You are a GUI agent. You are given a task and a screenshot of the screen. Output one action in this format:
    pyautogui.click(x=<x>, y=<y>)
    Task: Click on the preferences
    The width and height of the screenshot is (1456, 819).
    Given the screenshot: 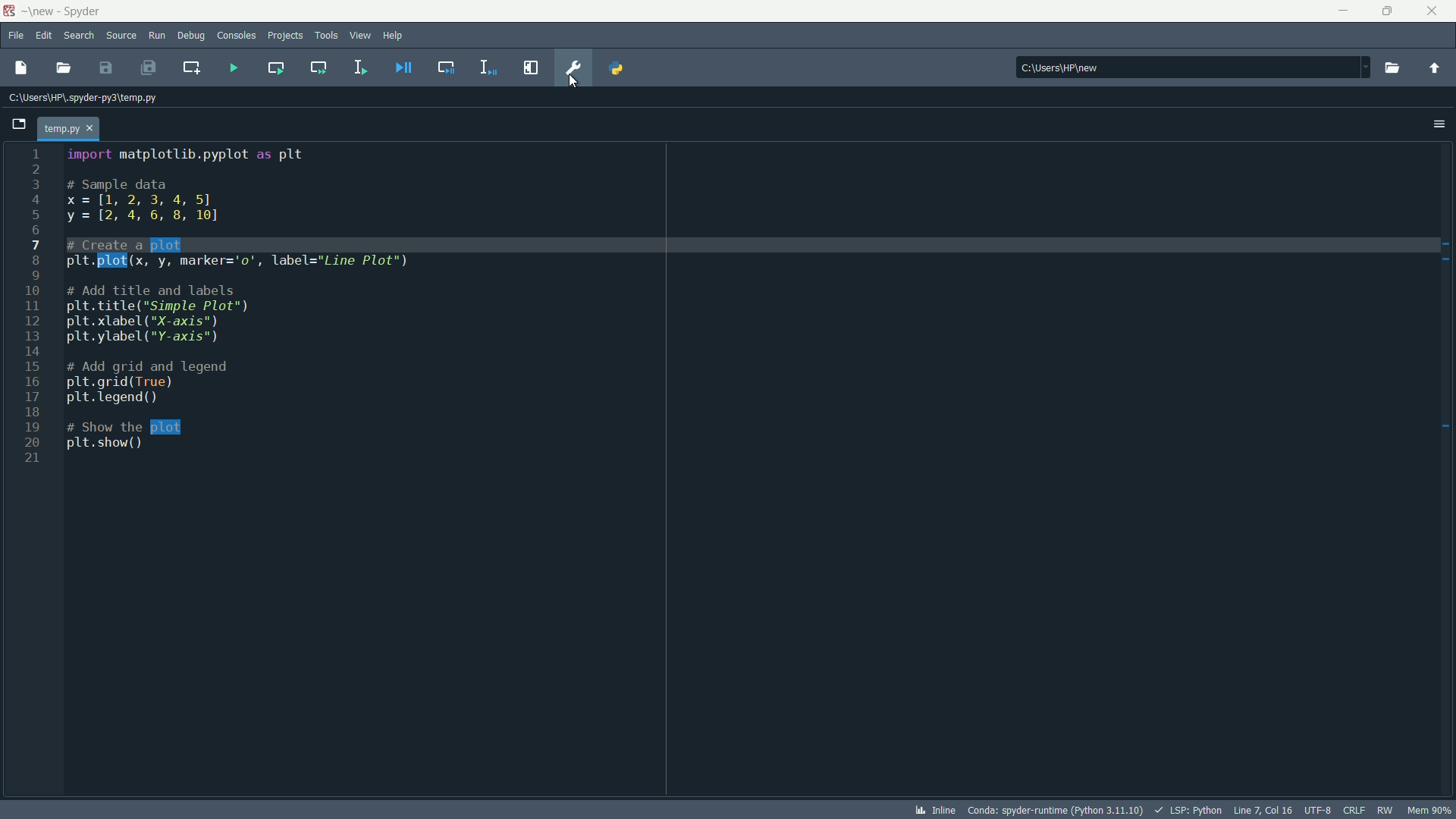 What is the action you would take?
    pyautogui.click(x=575, y=67)
    